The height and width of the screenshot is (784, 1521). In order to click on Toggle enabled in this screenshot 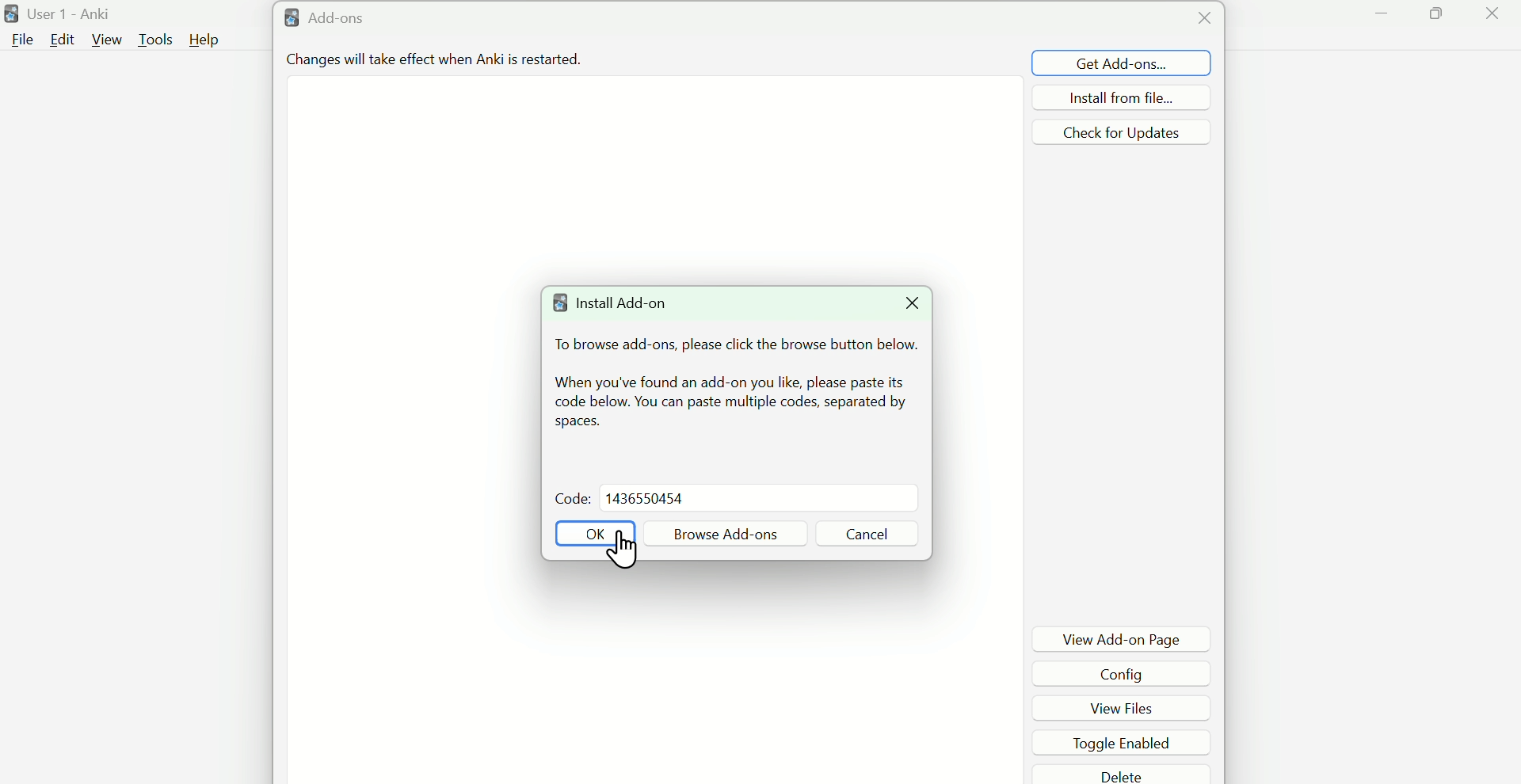, I will do `click(1125, 740)`.